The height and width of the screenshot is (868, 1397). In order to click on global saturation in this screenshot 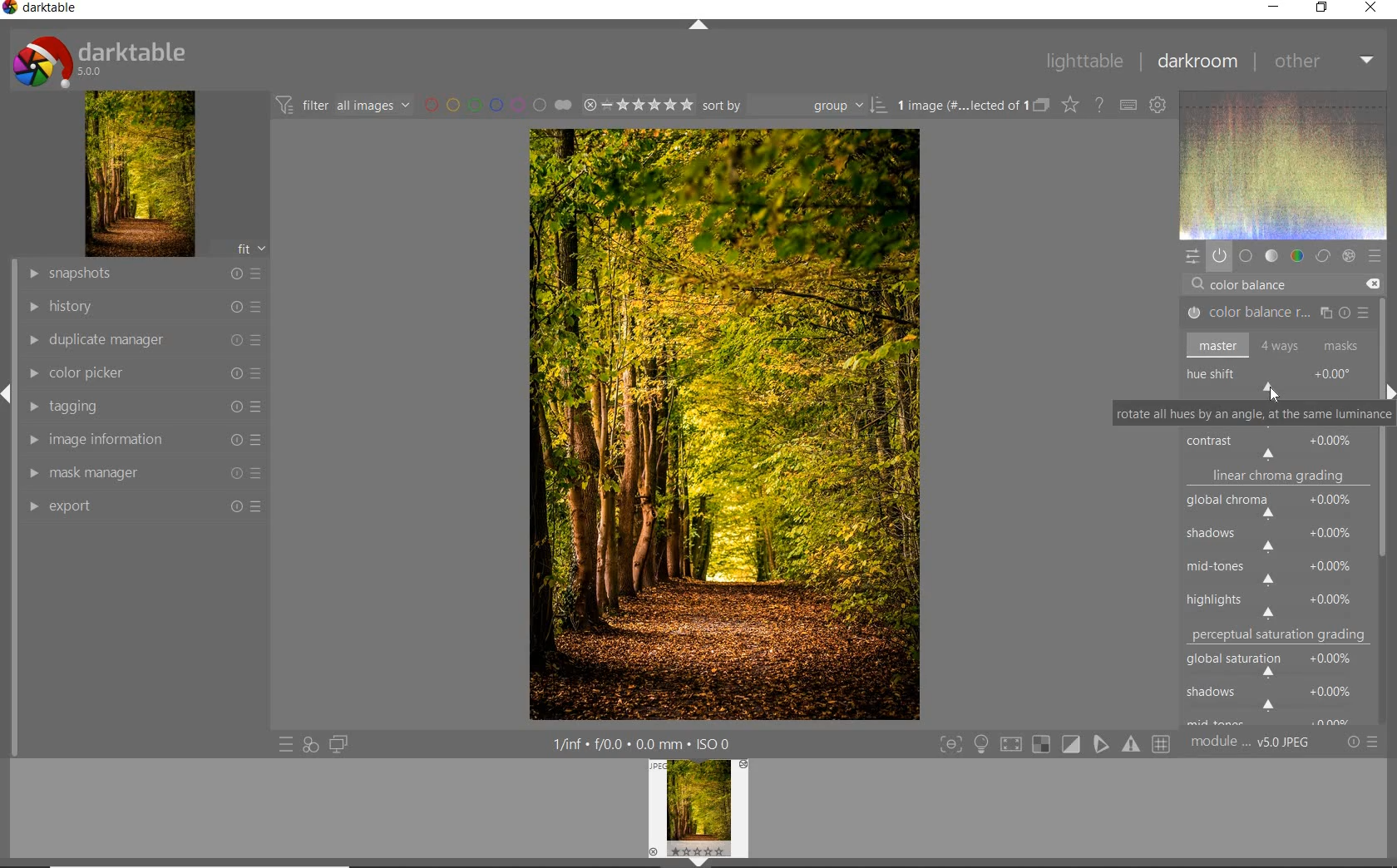, I will do `click(1278, 662)`.